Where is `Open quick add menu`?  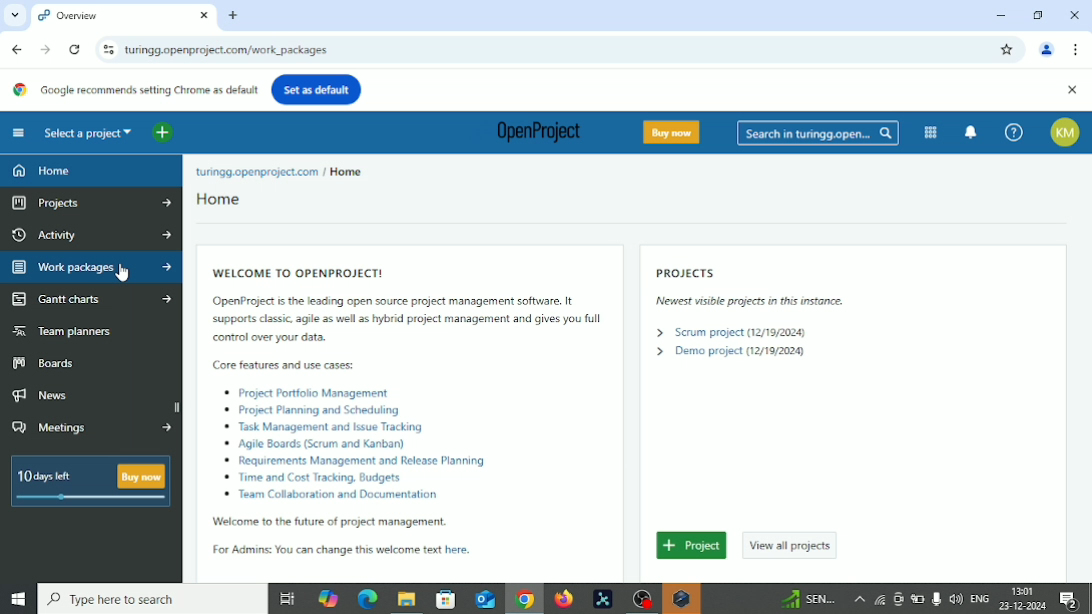 Open quick add menu is located at coordinates (163, 133).